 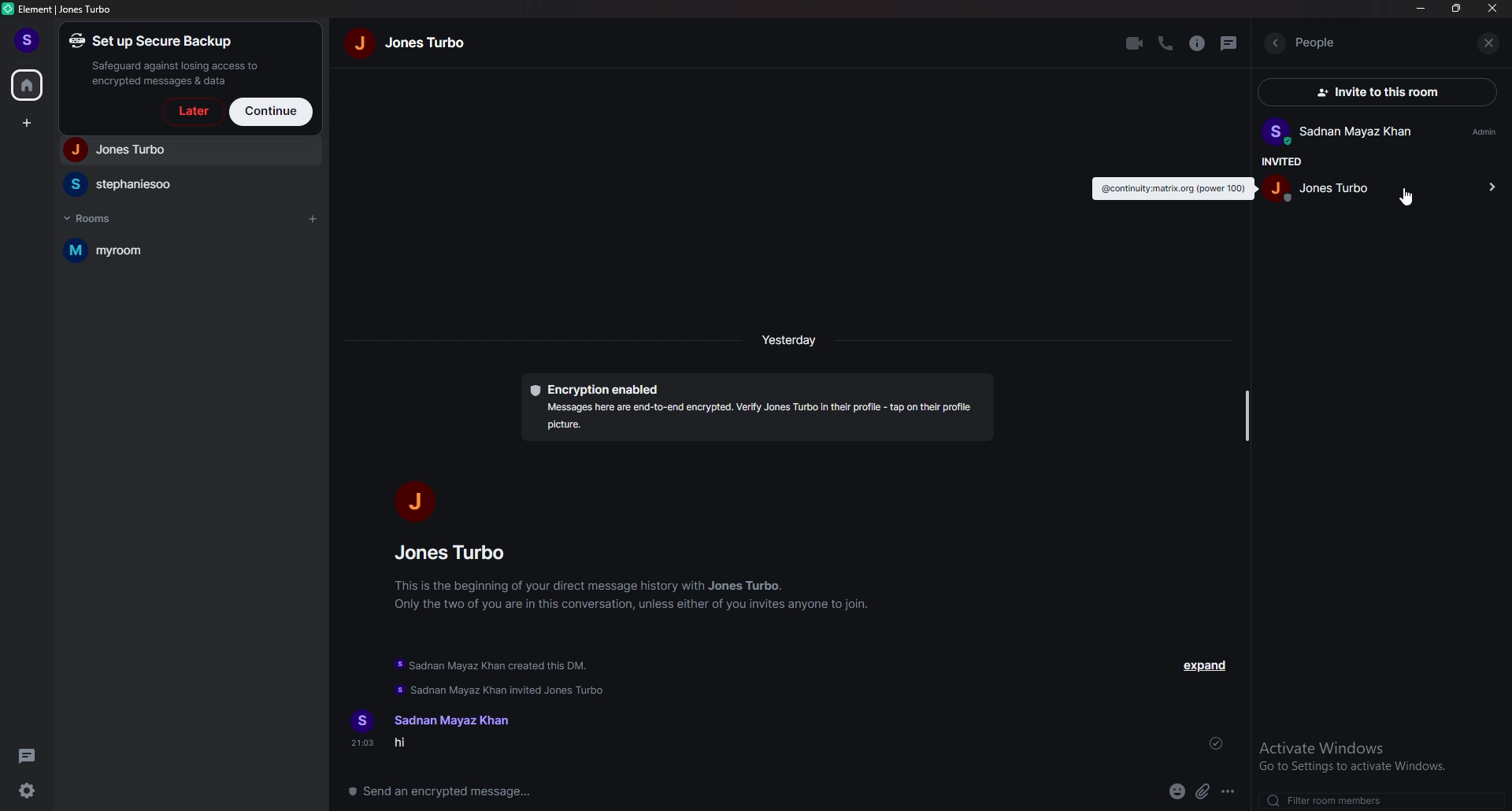 What do you see at coordinates (450, 790) in the screenshot?
I see `message box` at bounding box center [450, 790].